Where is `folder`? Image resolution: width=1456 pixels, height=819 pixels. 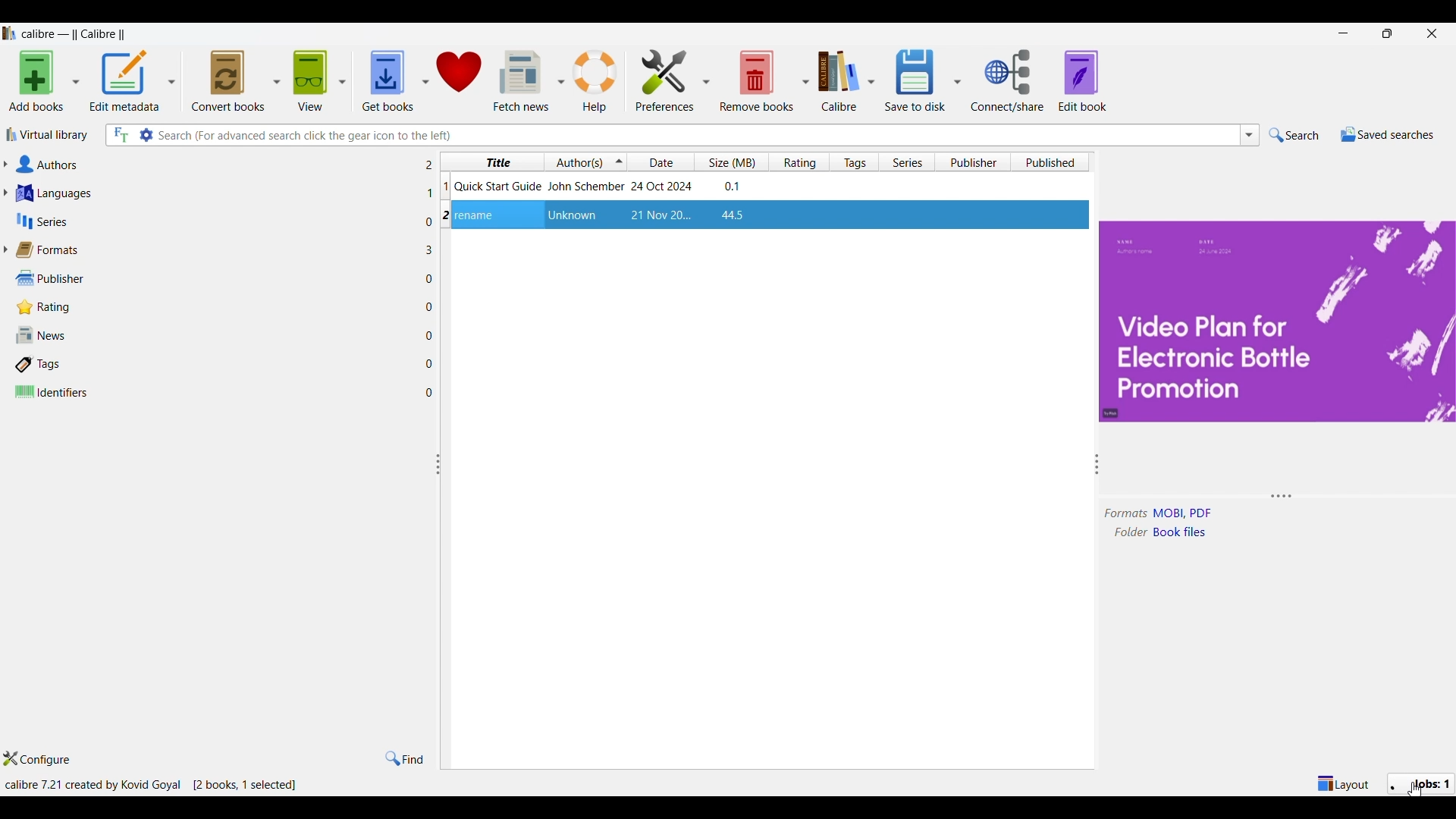 folder is located at coordinates (1127, 532).